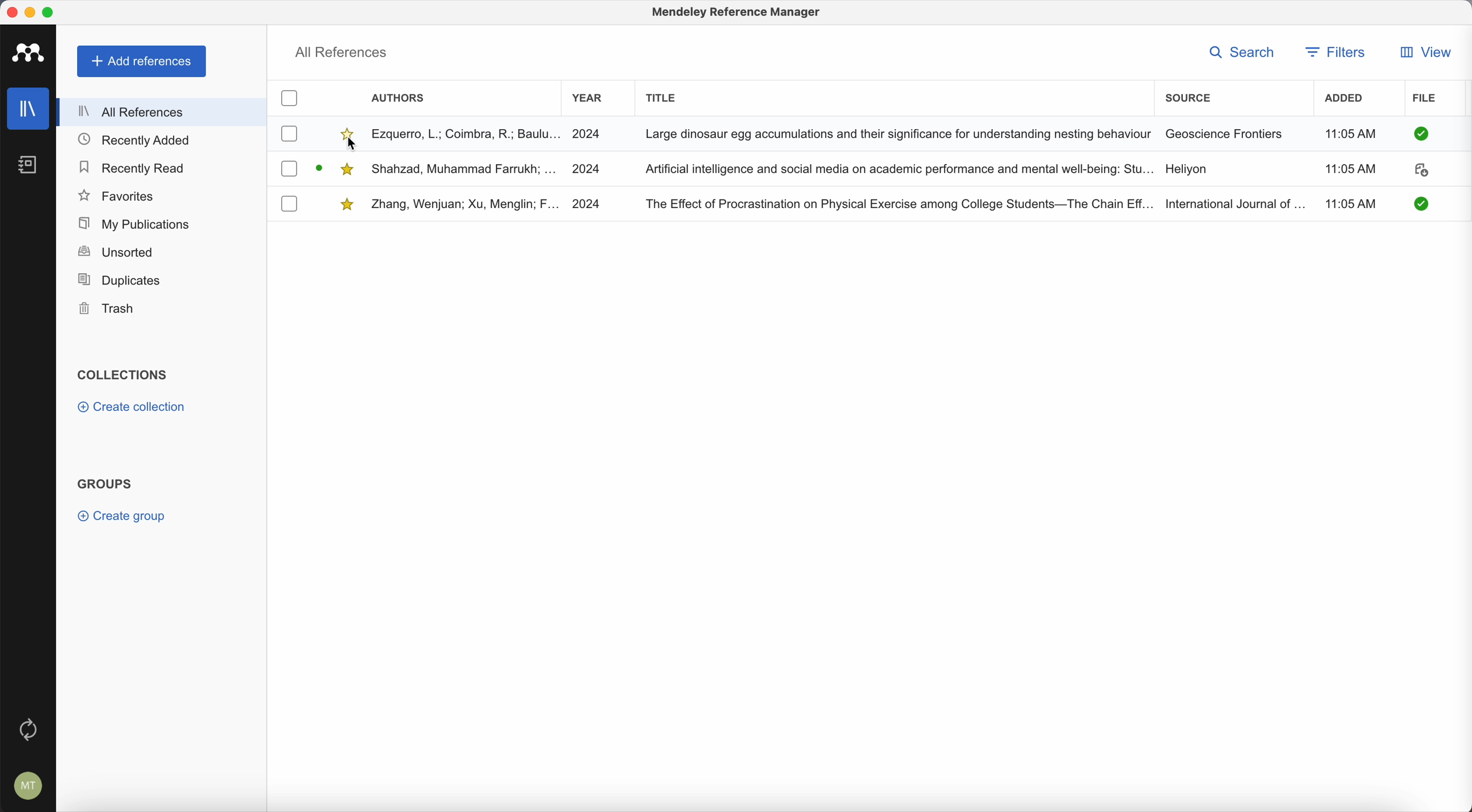 Image resolution: width=1472 pixels, height=812 pixels. What do you see at coordinates (122, 375) in the screenshot?
I see `collections` at bounding box center [122, 375].